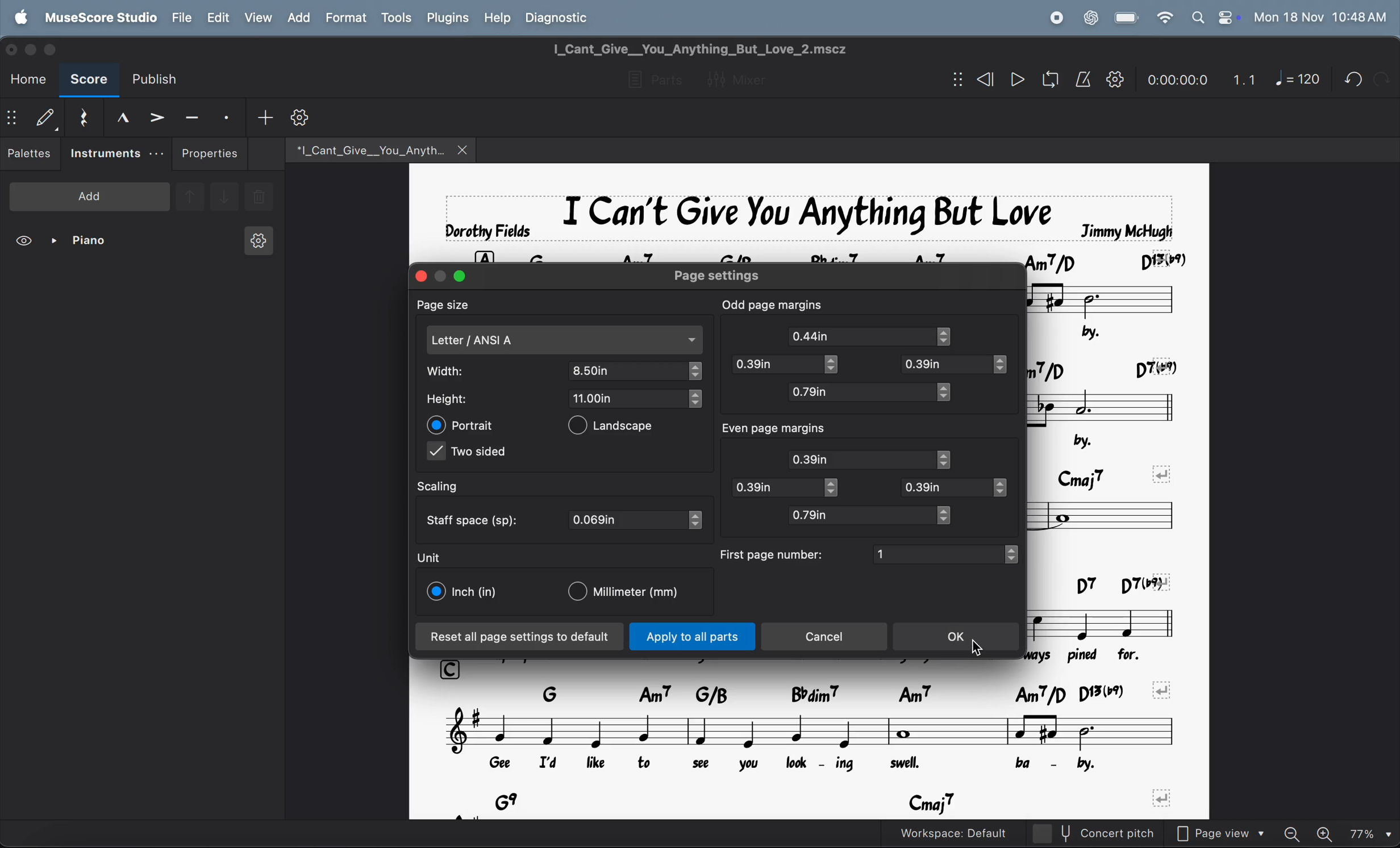 Image resolution: width=1400 pixels, height=848 pixels. What do you see at coordinates (217, 18) in the screenshot?
I see `edit ` at bounding box center [217, 18].